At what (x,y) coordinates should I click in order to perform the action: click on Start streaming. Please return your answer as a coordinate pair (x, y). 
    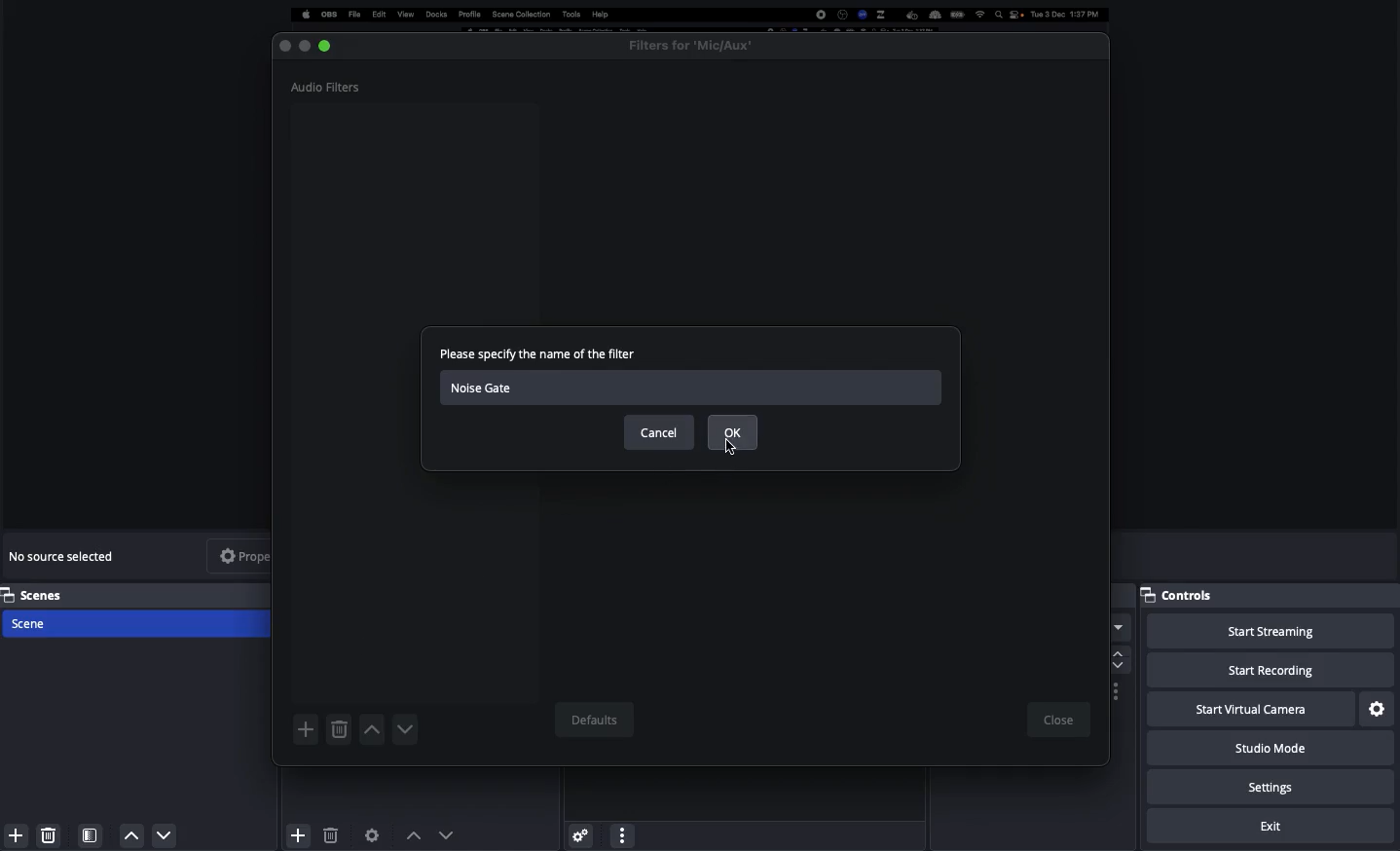
    Looking at the image, I should click on (1270, 632).